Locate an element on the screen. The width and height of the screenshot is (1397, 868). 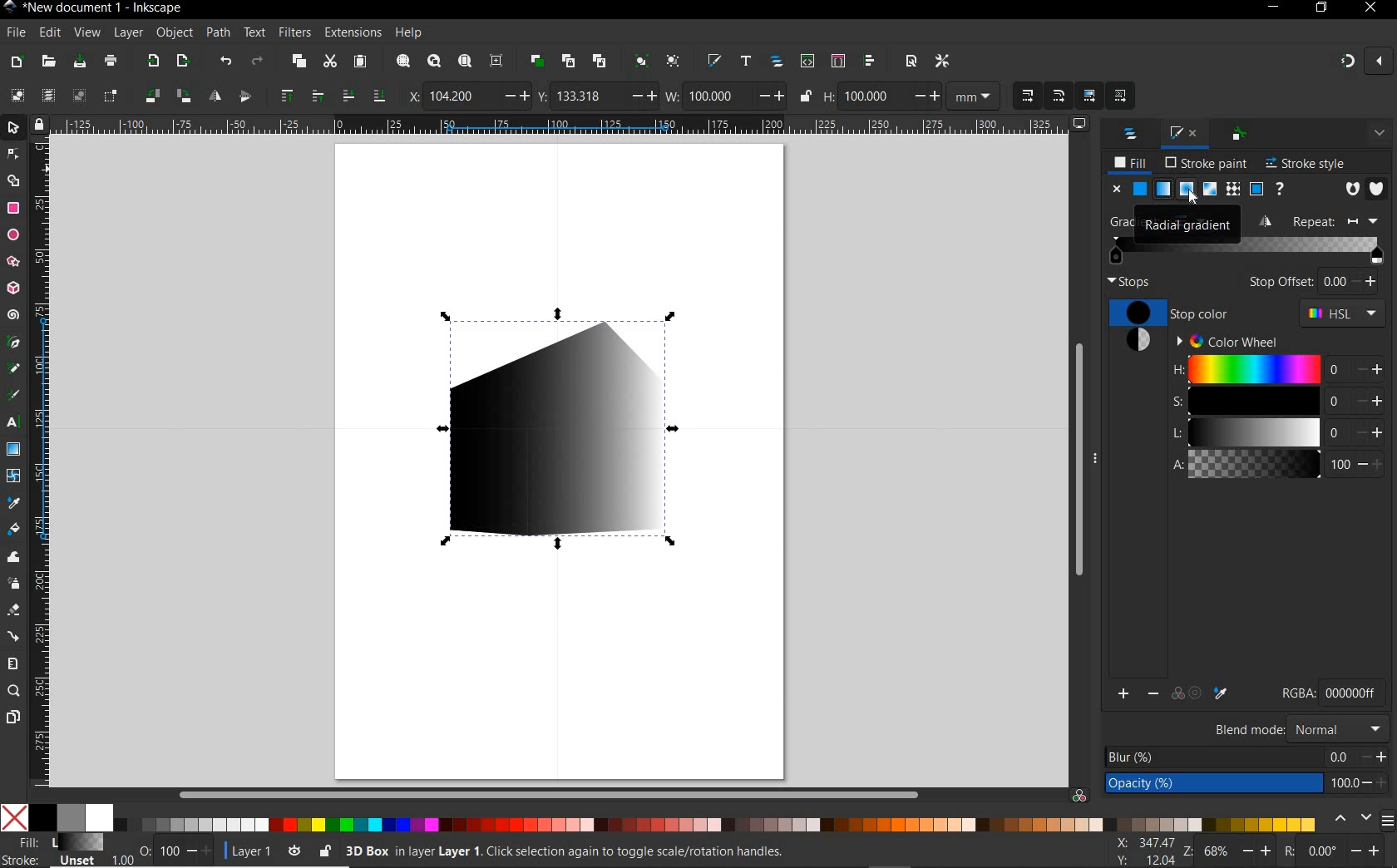
increase/decrease is located at coordinates (1376, 769).